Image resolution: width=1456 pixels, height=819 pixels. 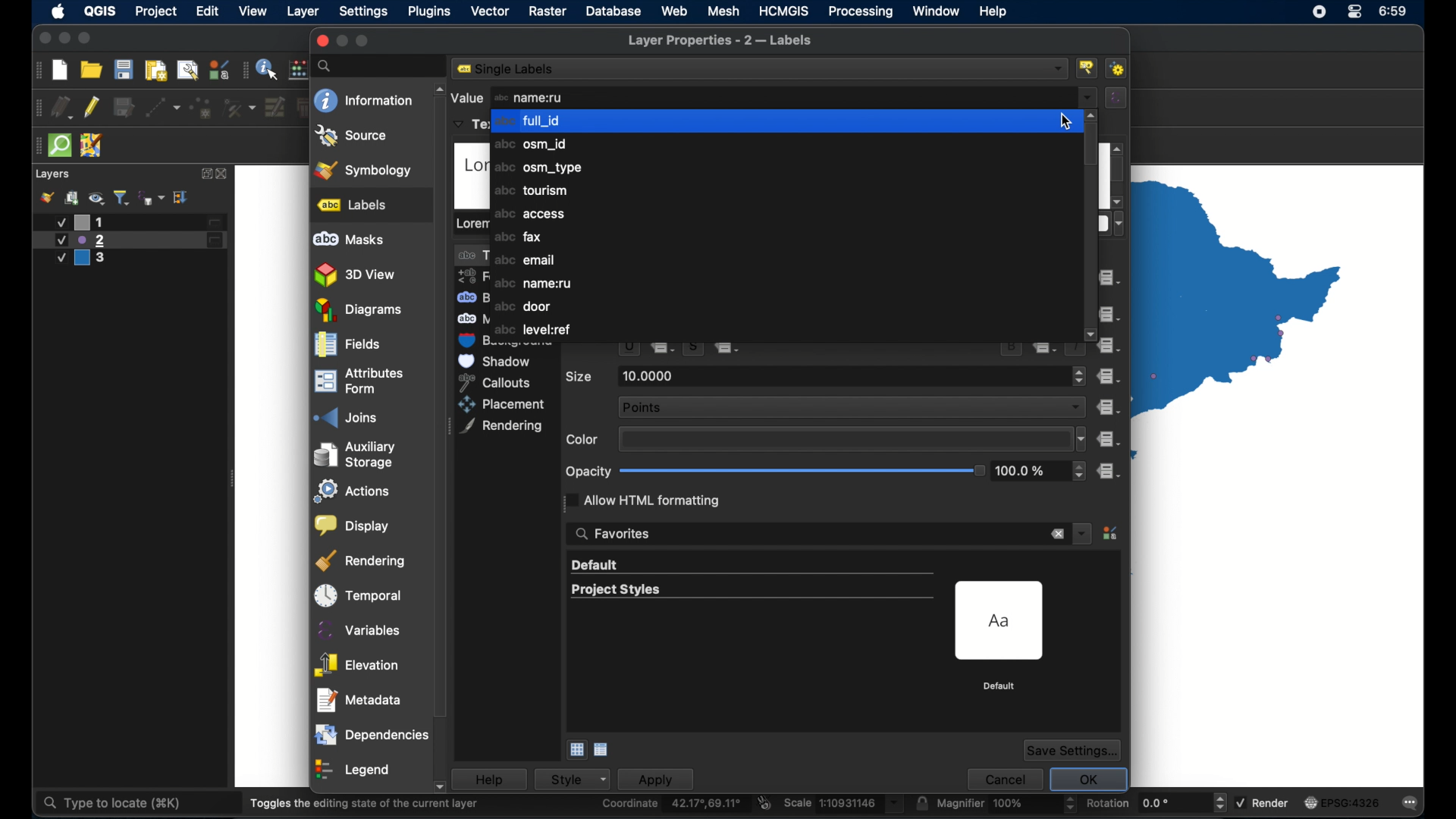 I want to click on configure project labelling tools, so click(x=1088, y=67).